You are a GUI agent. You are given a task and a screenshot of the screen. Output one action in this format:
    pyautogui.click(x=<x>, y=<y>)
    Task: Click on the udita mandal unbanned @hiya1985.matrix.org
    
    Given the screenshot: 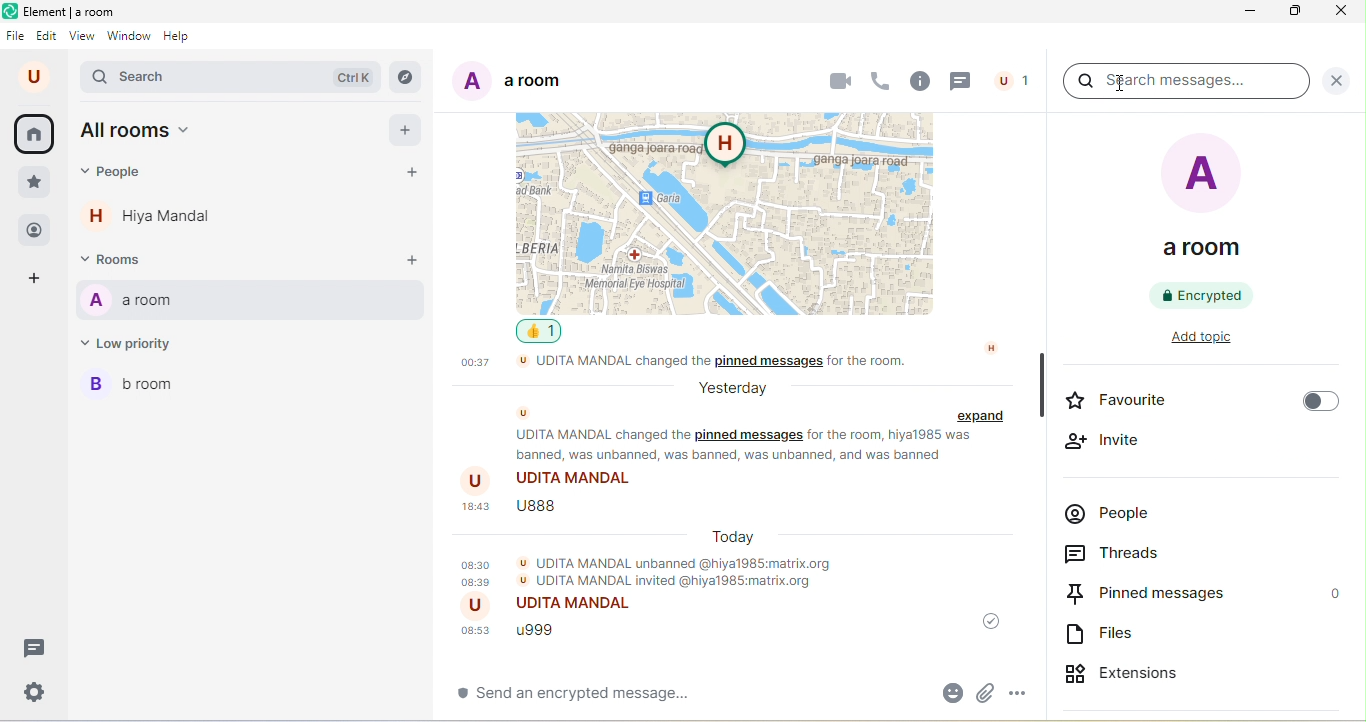 What is the action you would take?
    pyautogui.click(x=653, y=571)
    